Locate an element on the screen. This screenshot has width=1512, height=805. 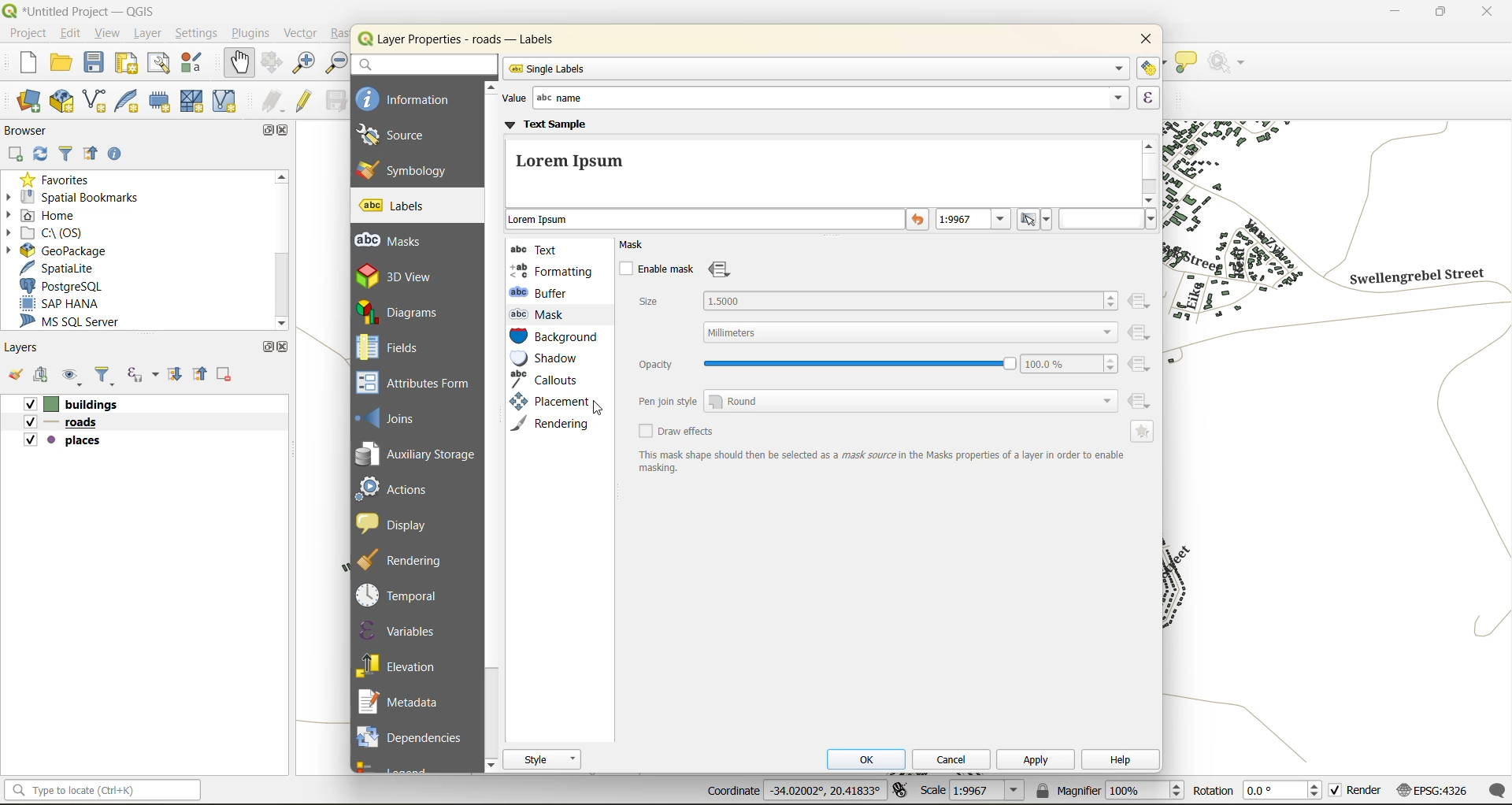
single labels is located at coordinates (816, 69).